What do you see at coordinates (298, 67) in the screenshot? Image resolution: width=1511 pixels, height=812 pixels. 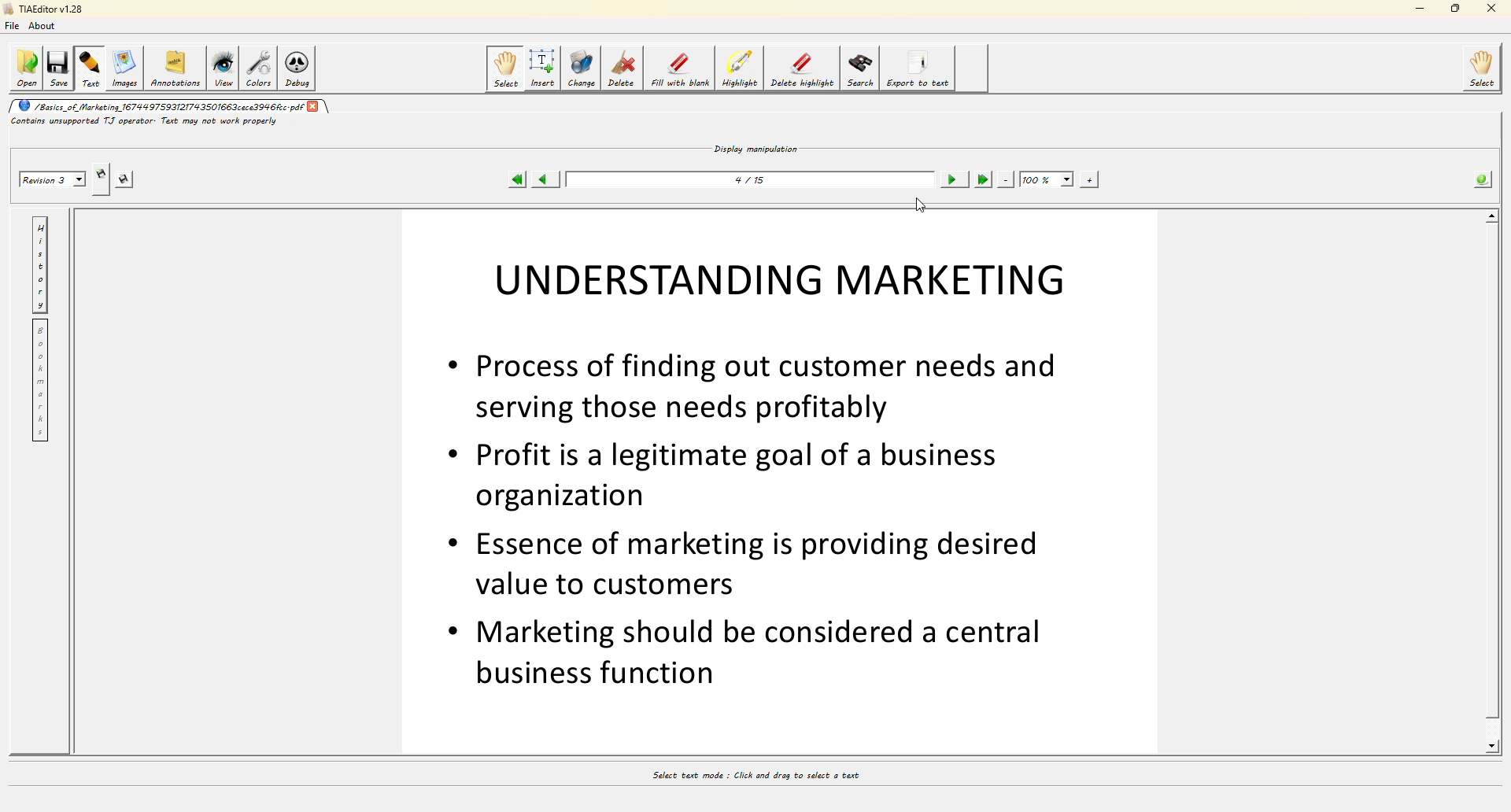 I see `debug` at bounding box center [298, 67].